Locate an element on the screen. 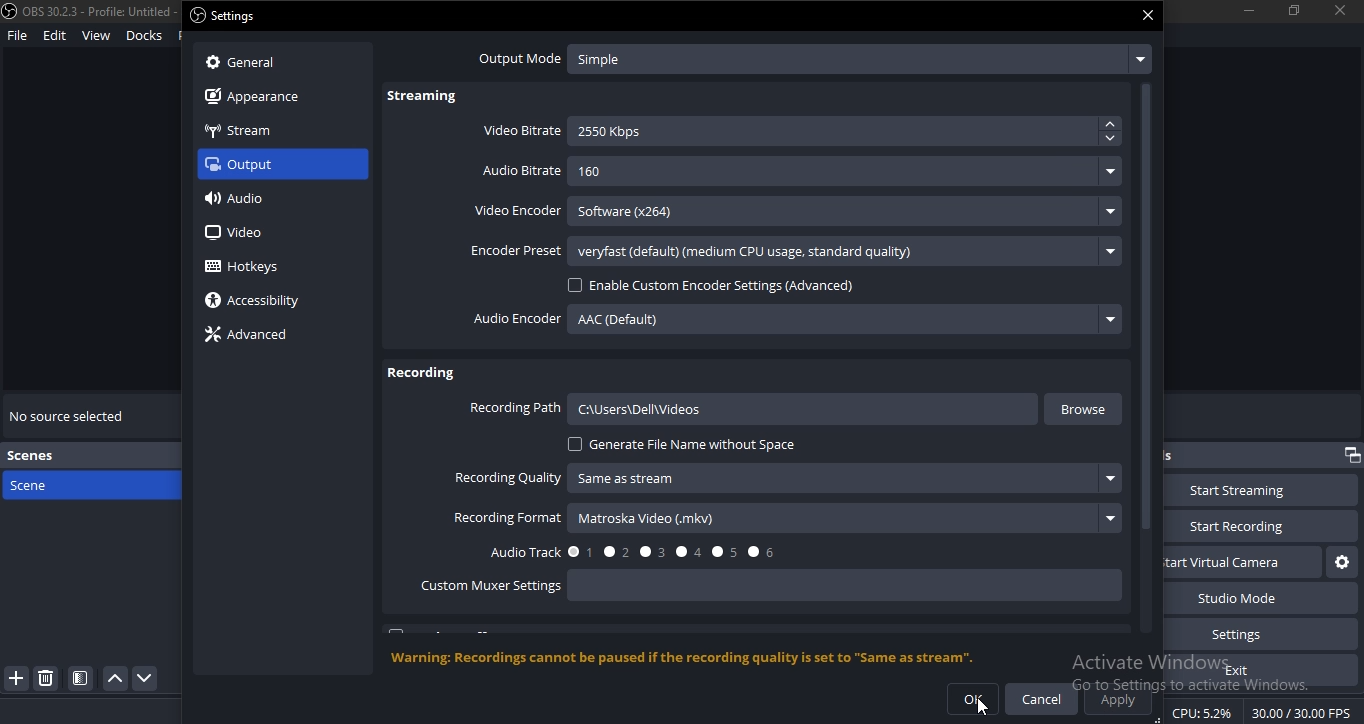 This screenshot has width=1364, height=724. encoder preset is located at coordinates (509, 252).